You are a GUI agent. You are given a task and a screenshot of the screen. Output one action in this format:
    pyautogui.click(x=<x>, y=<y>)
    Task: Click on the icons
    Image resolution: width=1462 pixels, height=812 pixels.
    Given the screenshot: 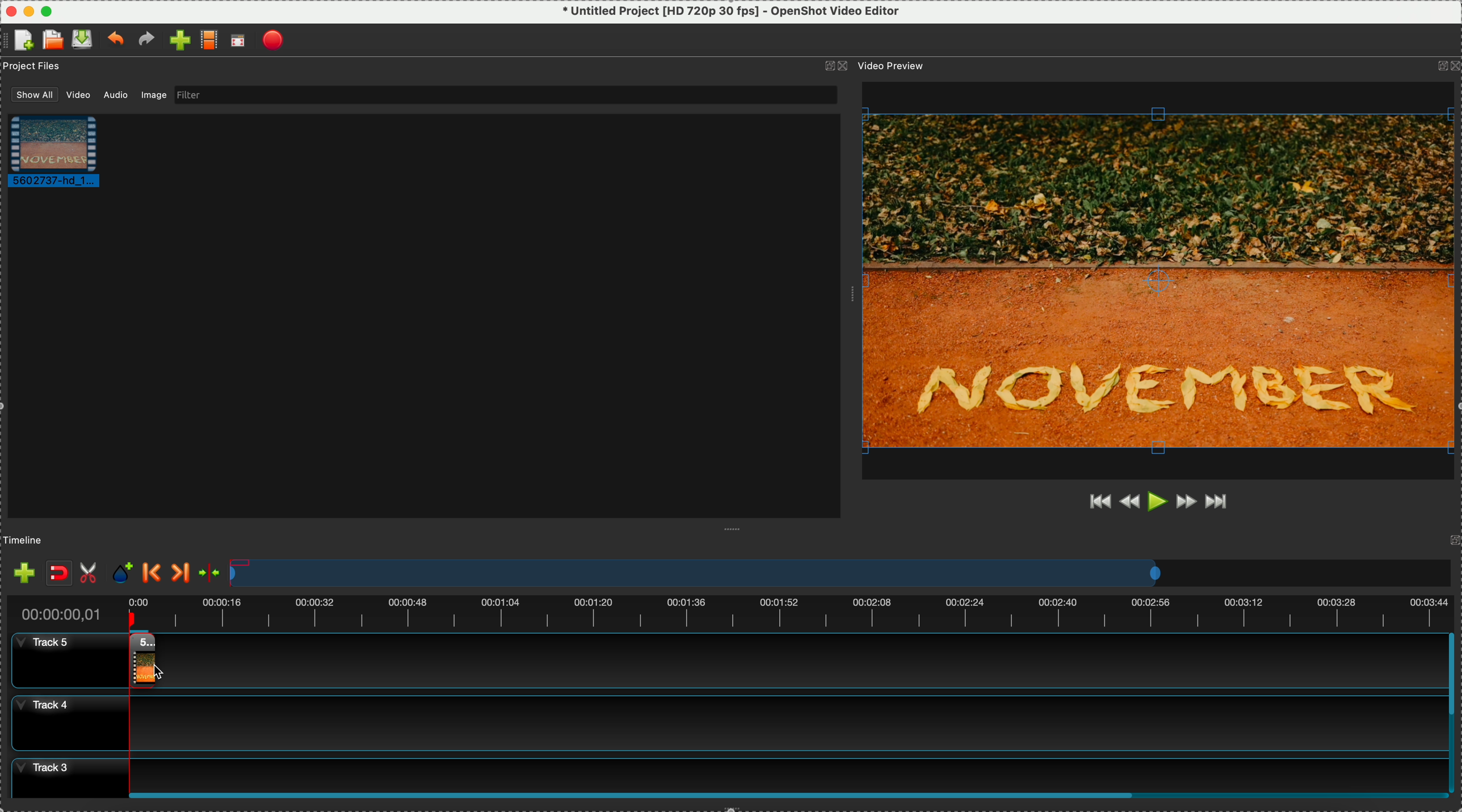 What is the action you would take?
    pyautogui.click(x=835, y=66)
    